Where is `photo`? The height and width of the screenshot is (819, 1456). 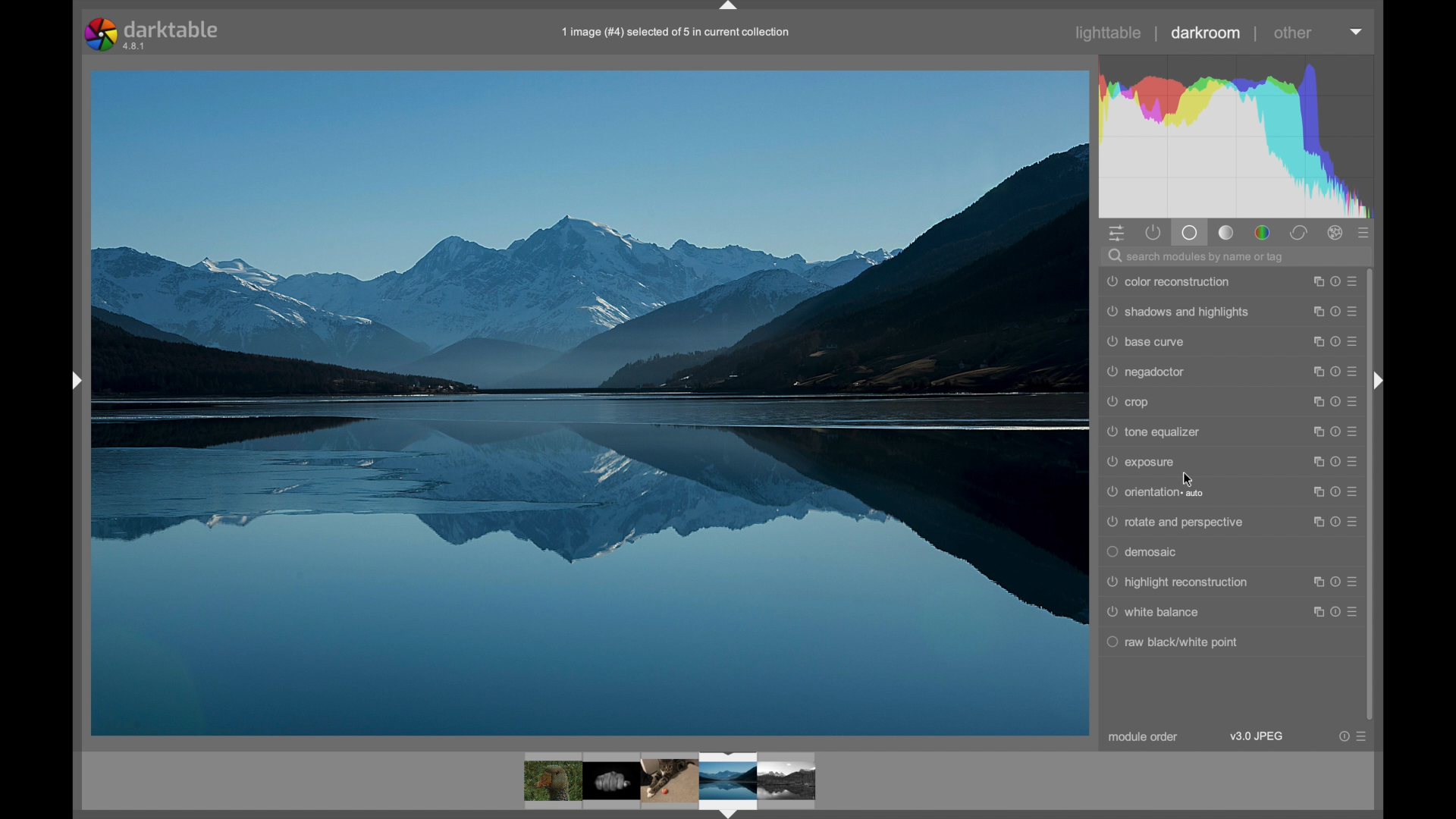
photo is located at coordinates (590, 402).